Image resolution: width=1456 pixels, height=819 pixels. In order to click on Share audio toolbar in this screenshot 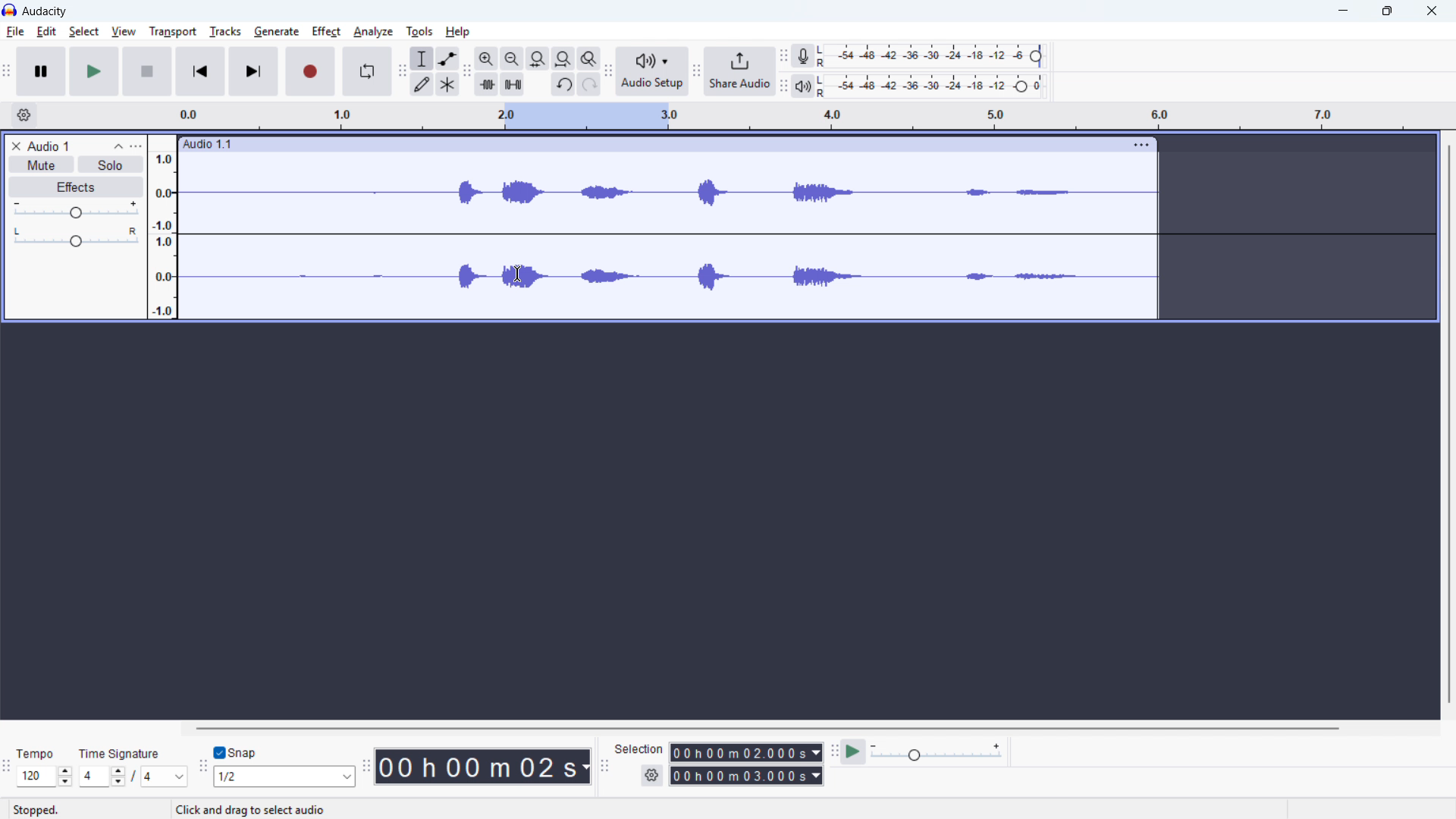, I will do `click(697, 72)`.